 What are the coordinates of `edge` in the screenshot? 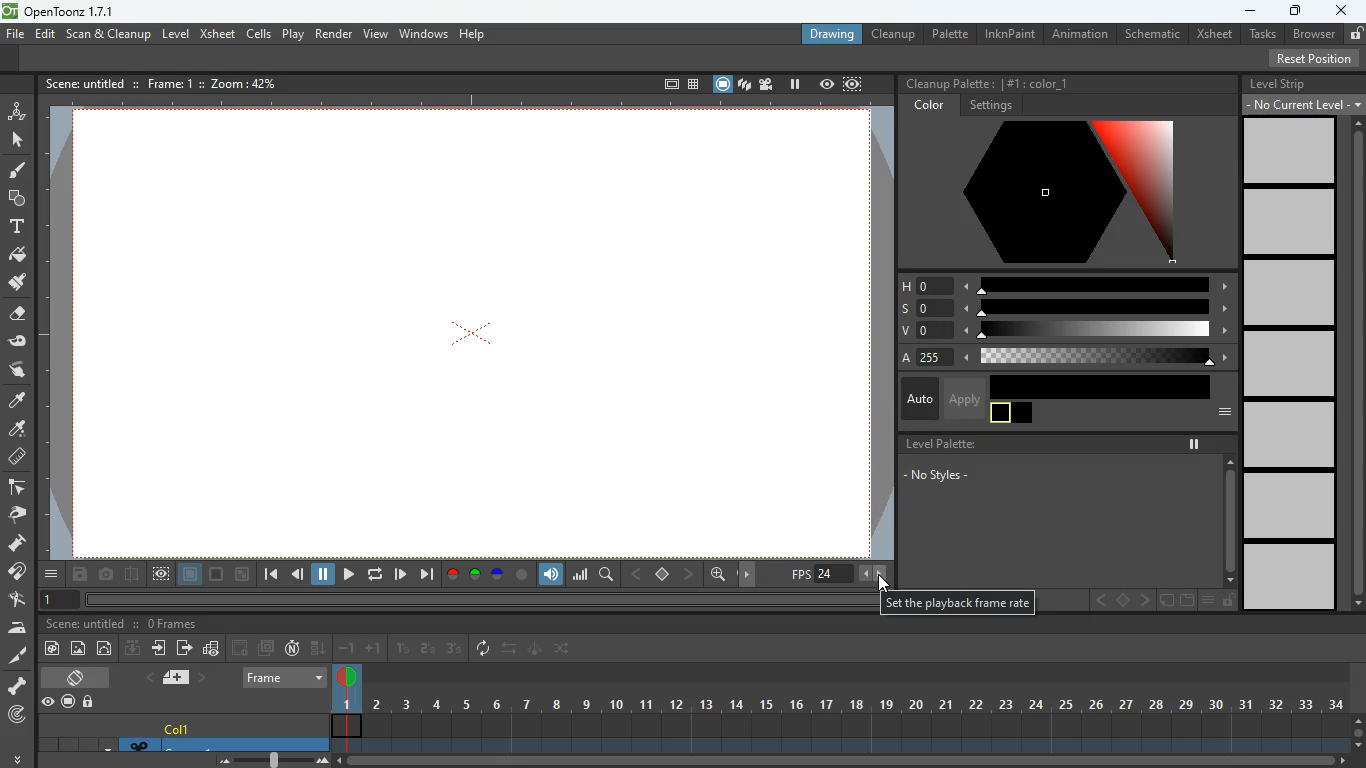 It's located at (15, 489).